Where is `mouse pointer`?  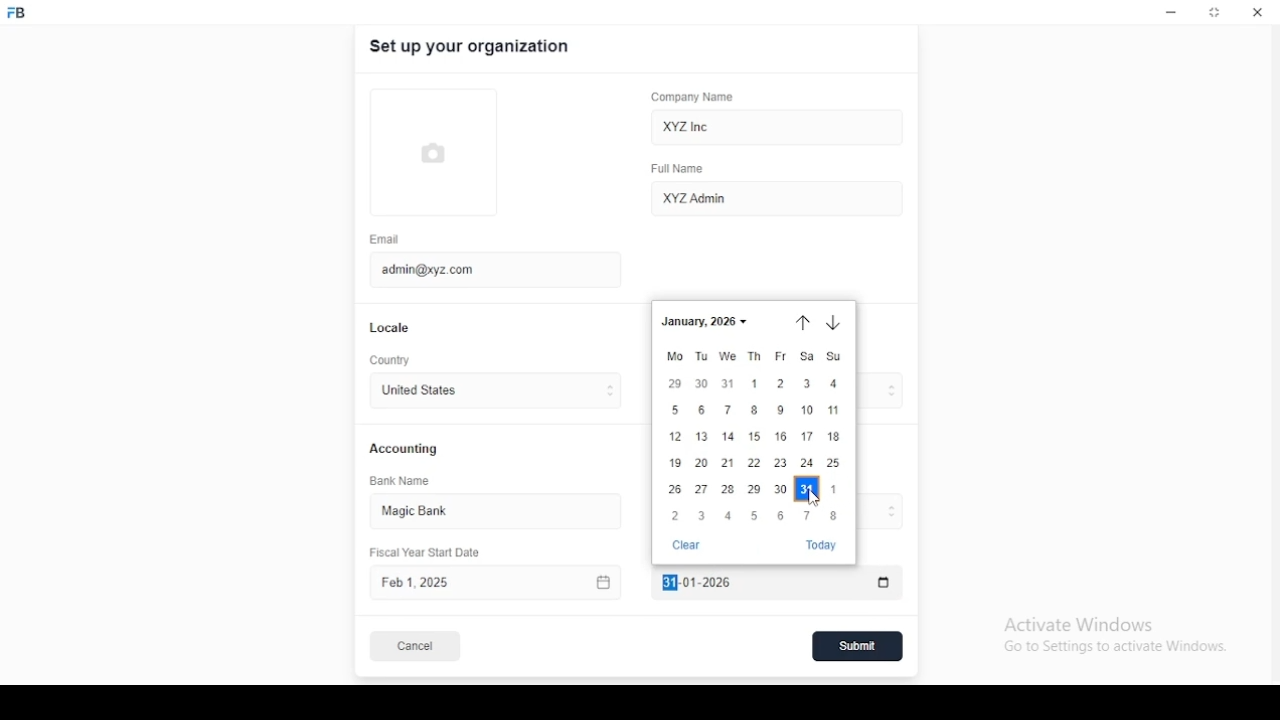
mouse pointer is located at coordinates (815, 497).